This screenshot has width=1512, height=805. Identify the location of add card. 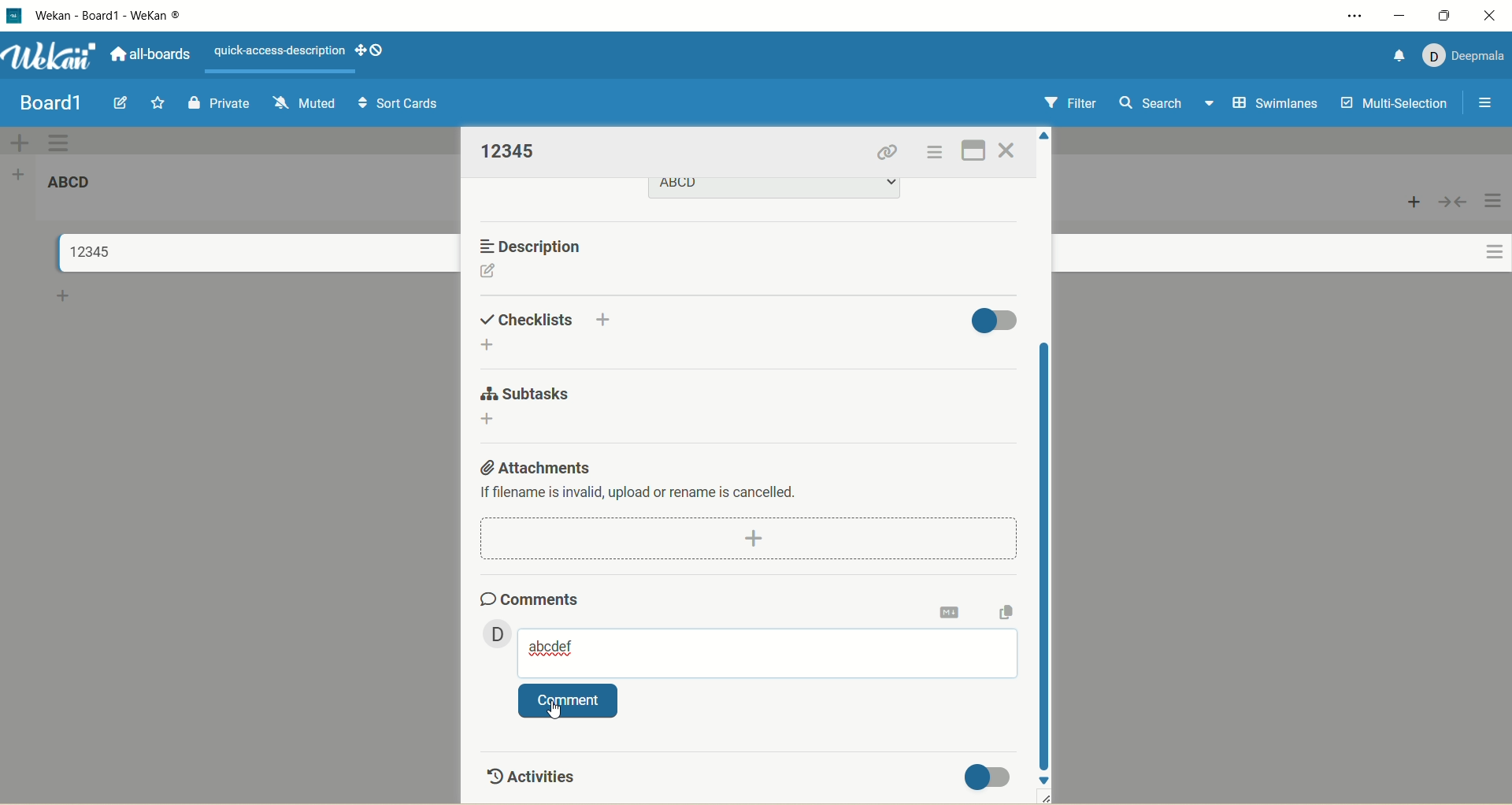
(1414, 202).